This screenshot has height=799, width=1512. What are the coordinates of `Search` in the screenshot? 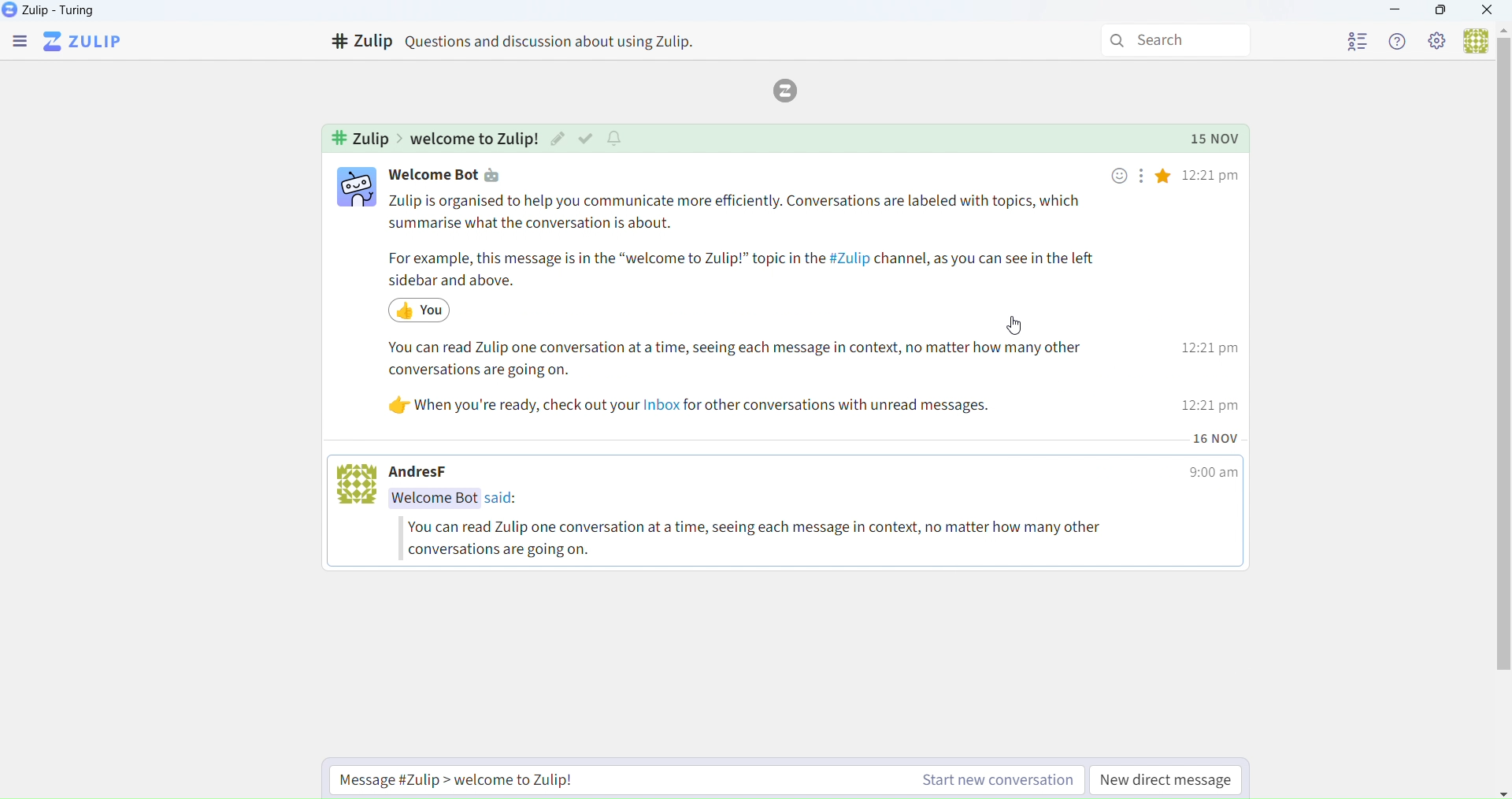 It's located at (1169, 38).